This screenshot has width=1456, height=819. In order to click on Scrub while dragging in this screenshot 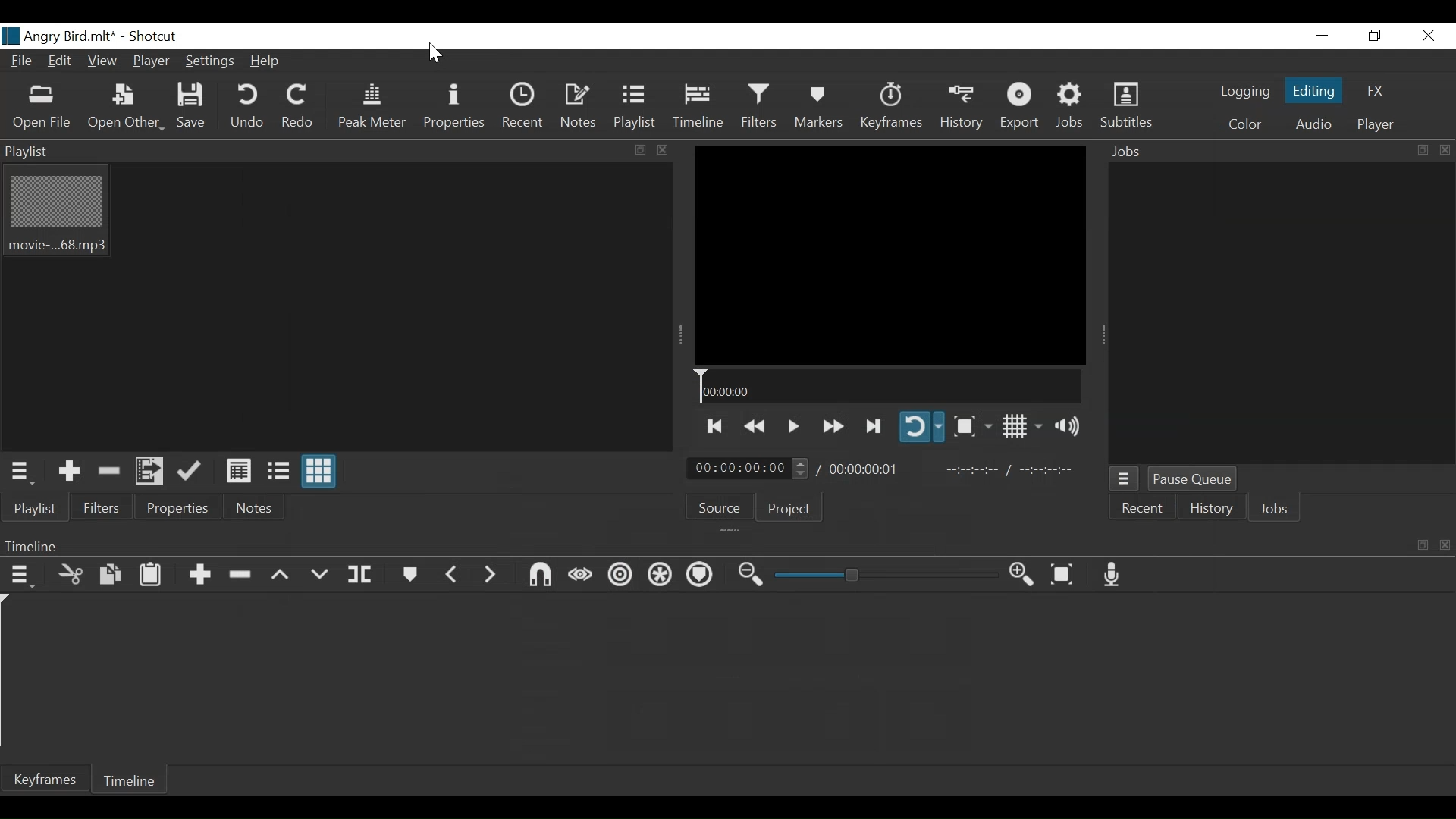, I will do `click(581, 575)`.